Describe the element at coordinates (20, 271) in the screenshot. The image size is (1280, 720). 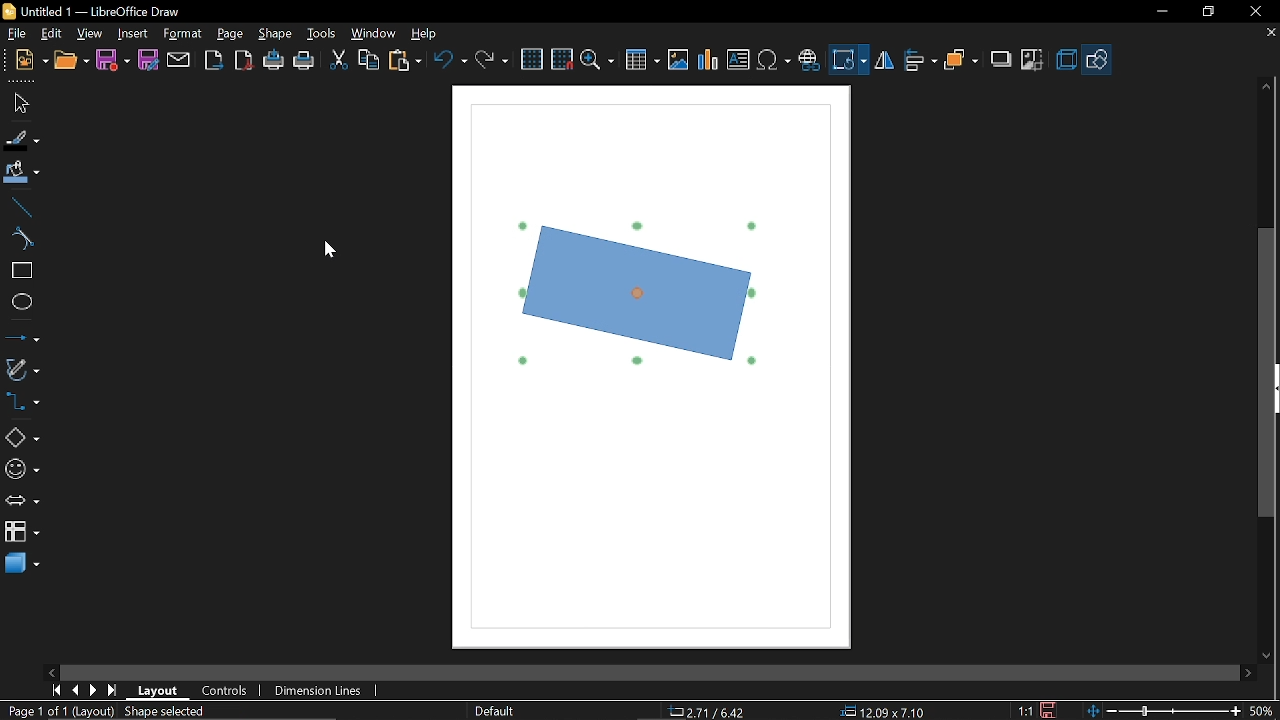
I see `rectangle` at that location.